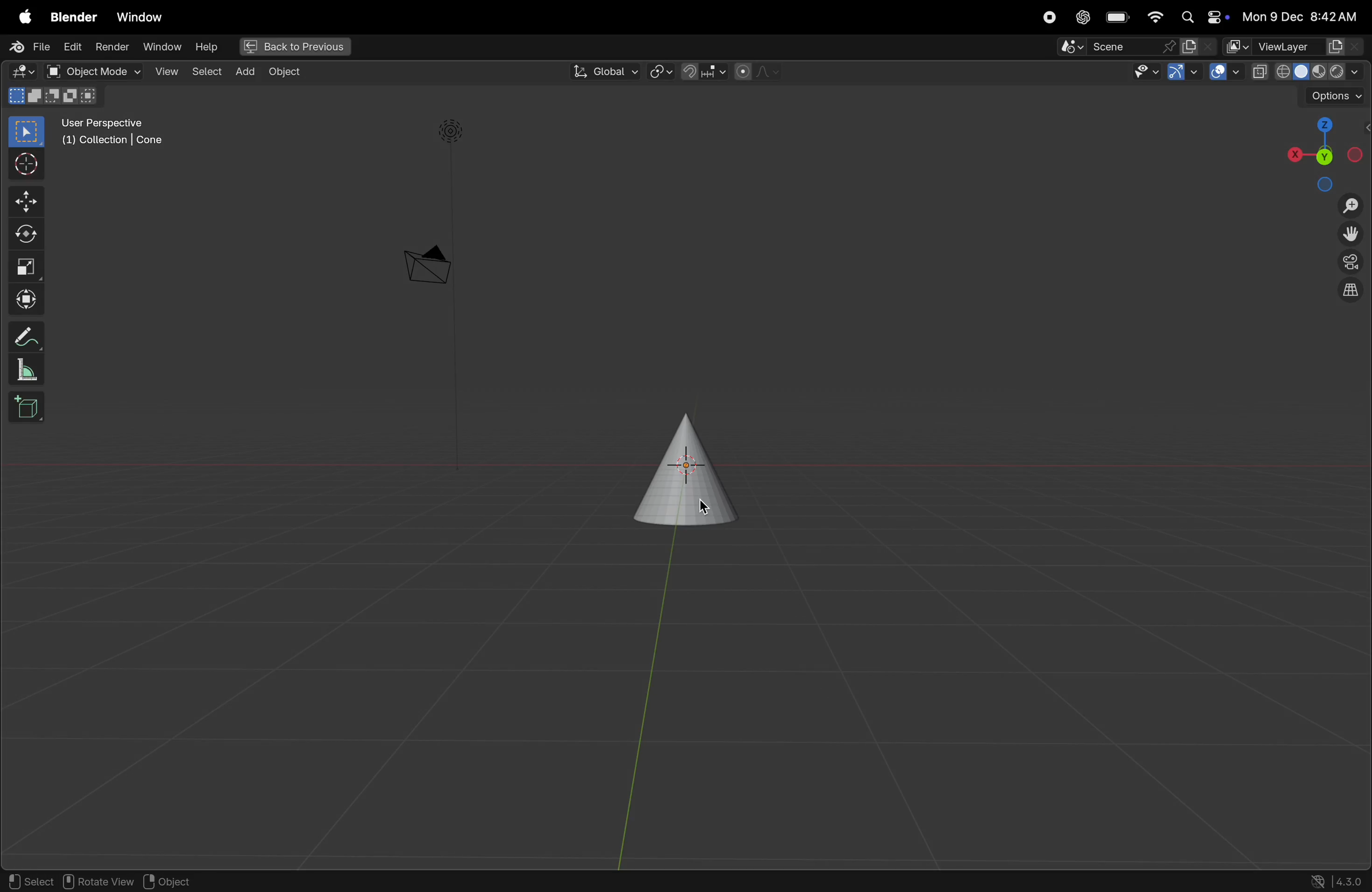 The image size is (1372, 892). Describe the element at coordinates (1155, 17) in the screenshot. I see `wifi` at that location.